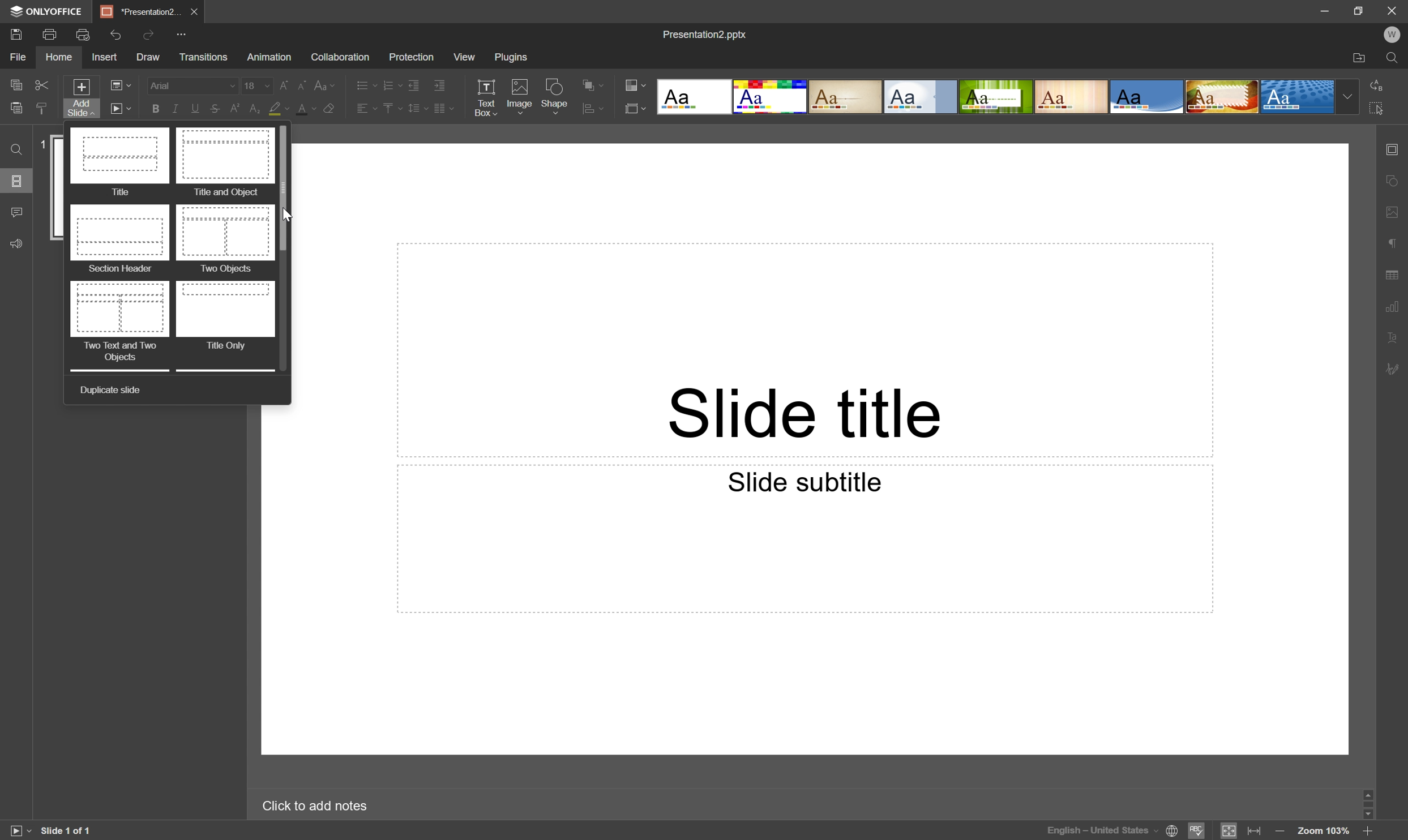 This screenshot has width=1408, height=840. I want to click on Draw, so click(146, 55).